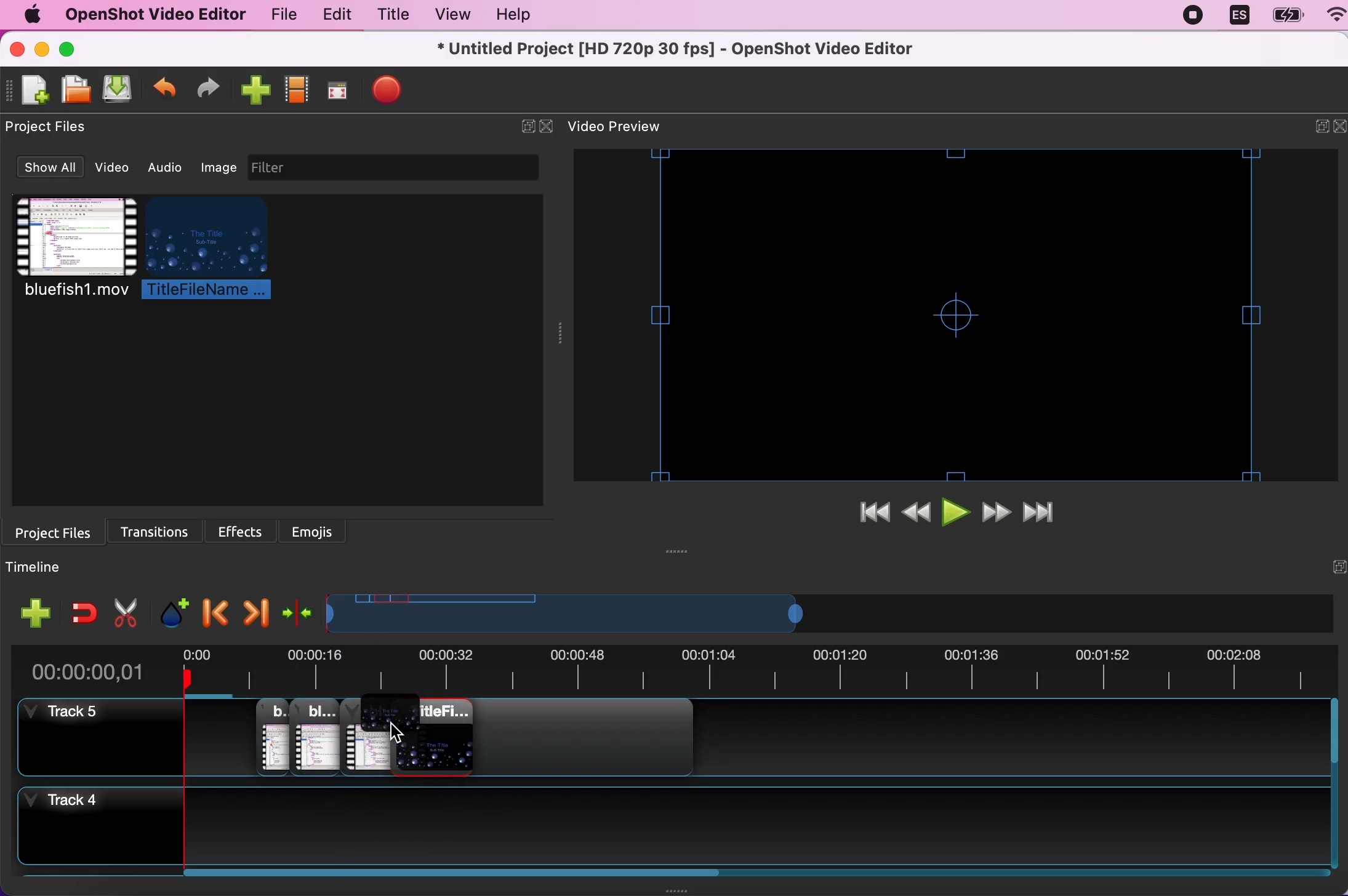 Image resolution: width=1348 pixels, height=896 pixels. Describe the element at coordinates (116, 90) in the screenshot. I see `save project` at that location.